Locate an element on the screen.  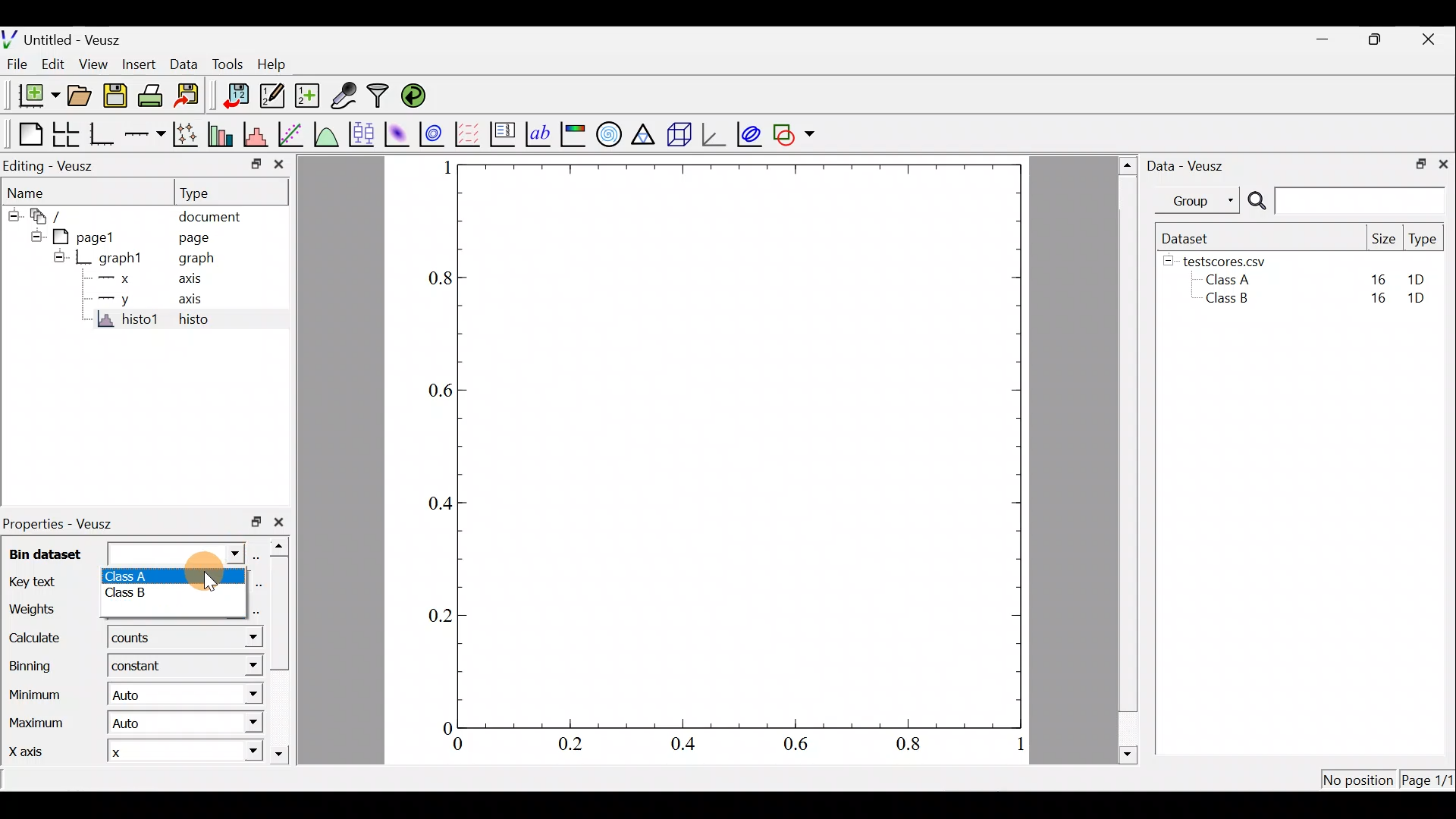
Save the document is located at coordinates (115, 93).